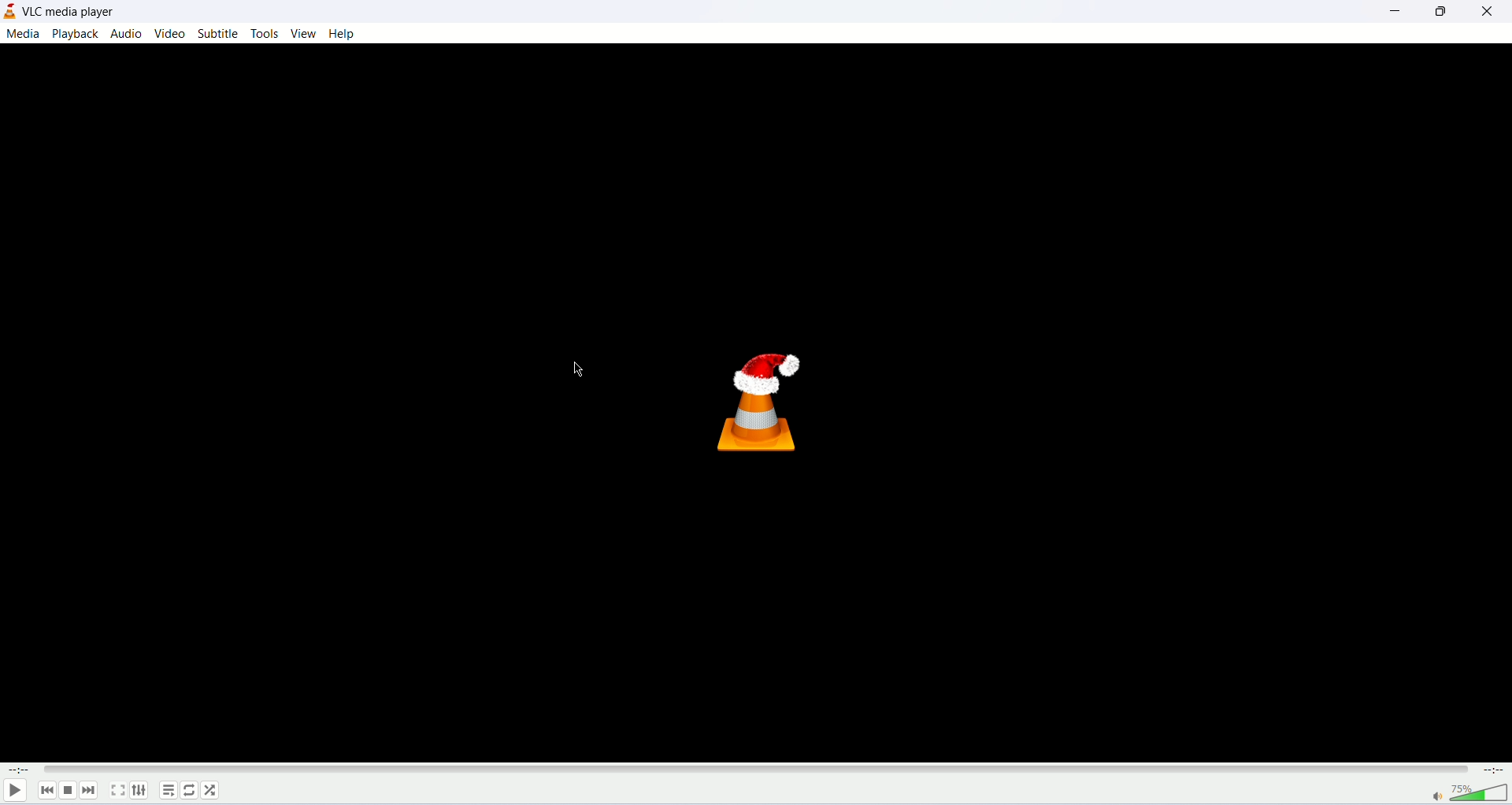  Describe the element at coordinates (83, 13) in the screenshot. I see `VLC media player` at that location.